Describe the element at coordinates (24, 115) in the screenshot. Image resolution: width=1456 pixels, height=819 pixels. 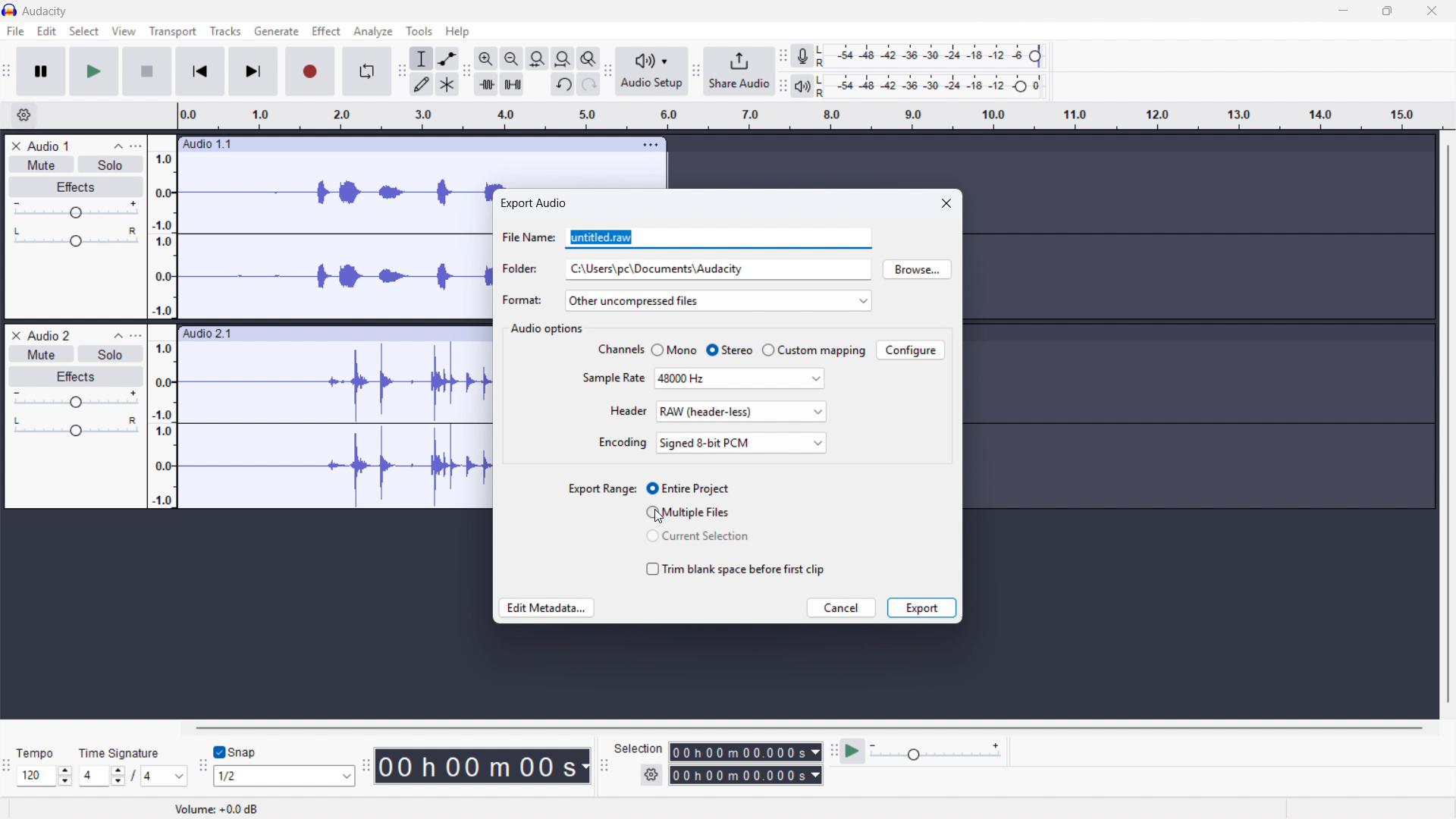
I see `Timeline settings ` at that location.